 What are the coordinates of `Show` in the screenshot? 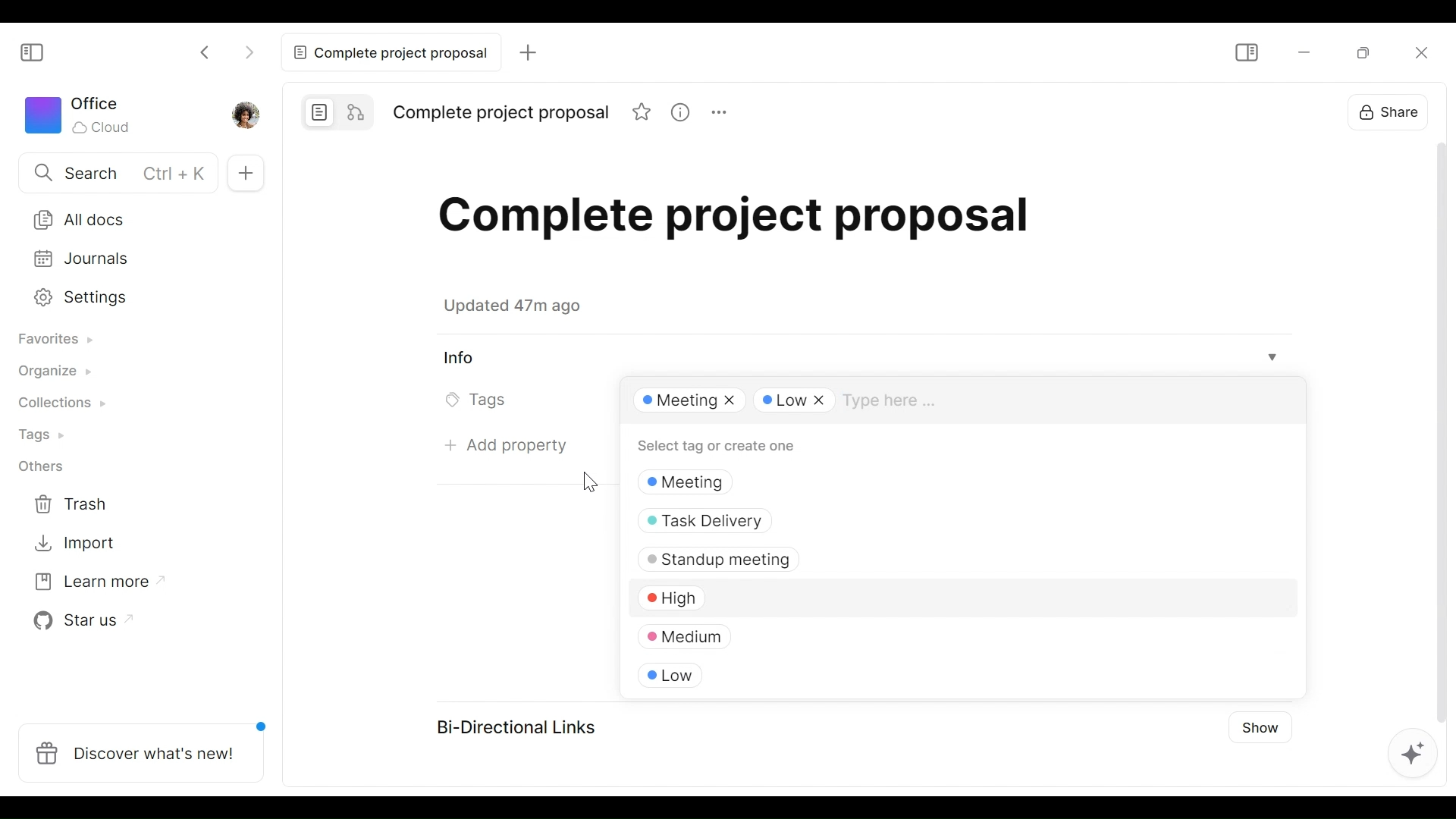 It's located at (1259, 732).